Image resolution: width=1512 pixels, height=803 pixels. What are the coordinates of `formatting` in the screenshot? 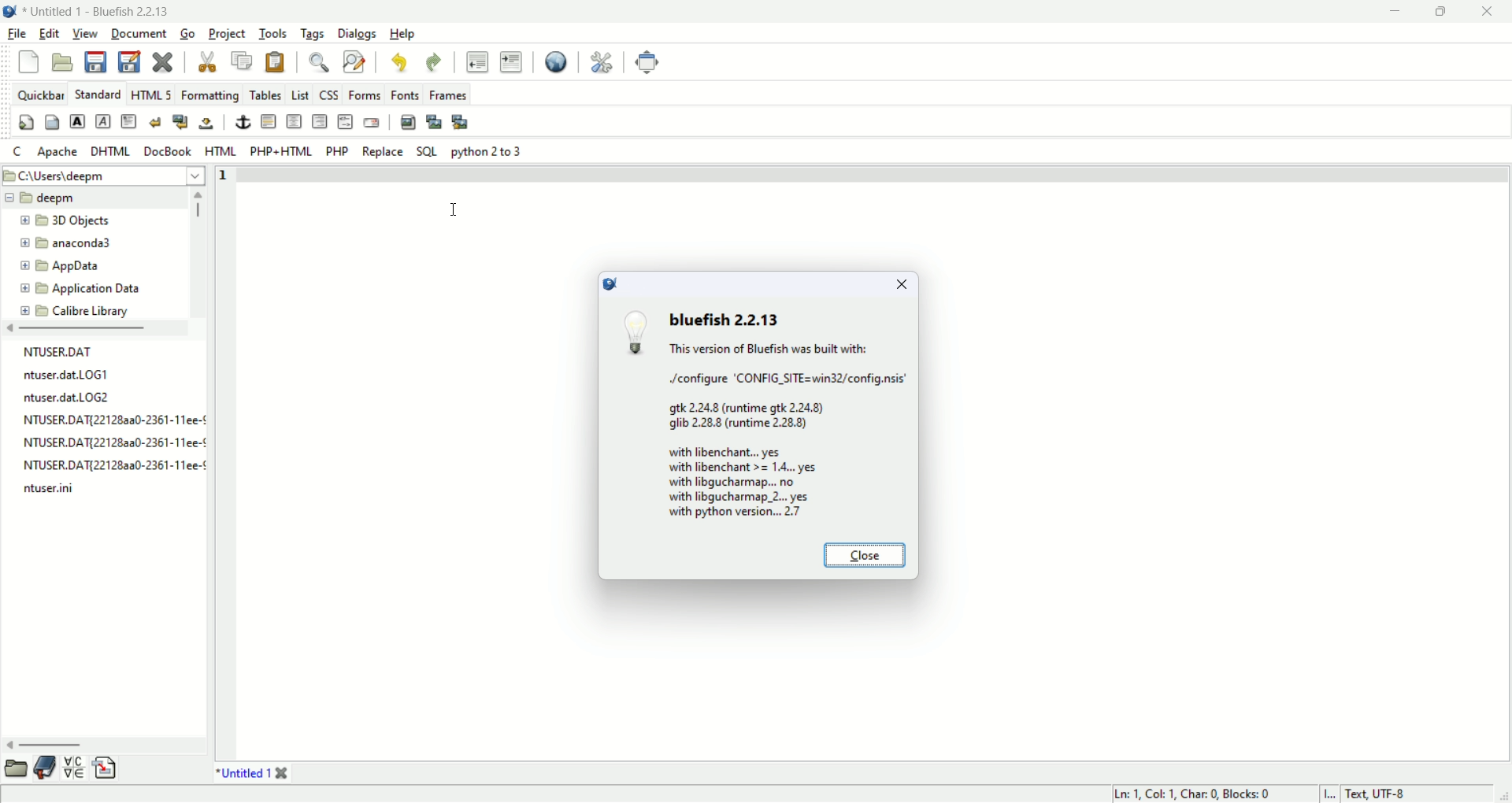 It's located at (209, 94).